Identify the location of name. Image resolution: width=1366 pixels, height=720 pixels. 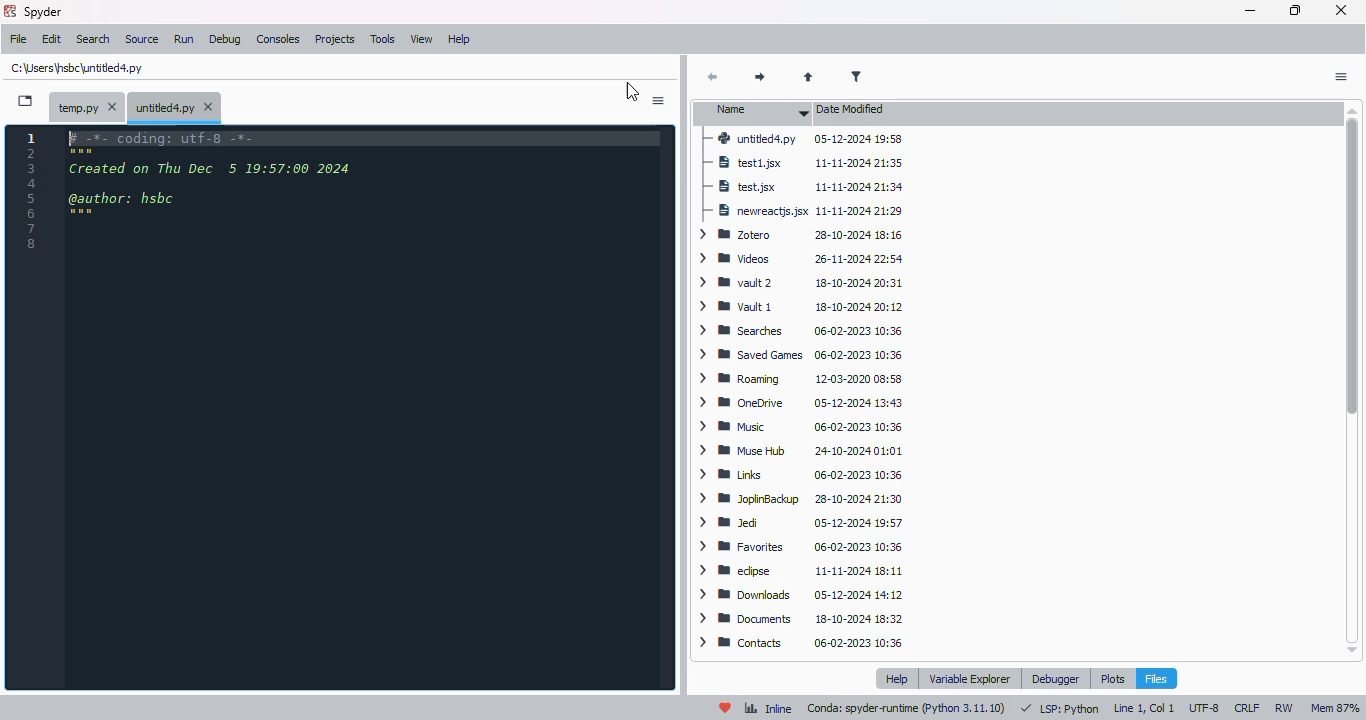
(756, 163).